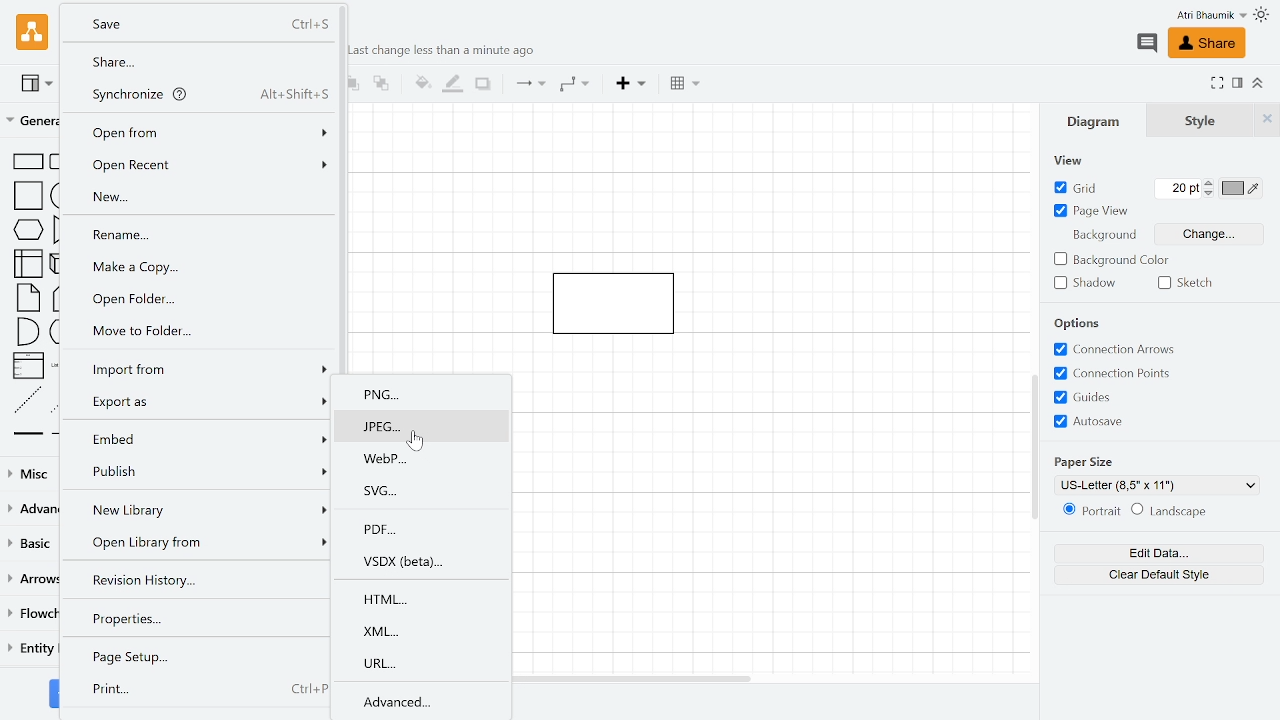  What do you see at coordinates (33, 616) in the screenshot?
I see `Flowchart` at bounding box center [33, 616].